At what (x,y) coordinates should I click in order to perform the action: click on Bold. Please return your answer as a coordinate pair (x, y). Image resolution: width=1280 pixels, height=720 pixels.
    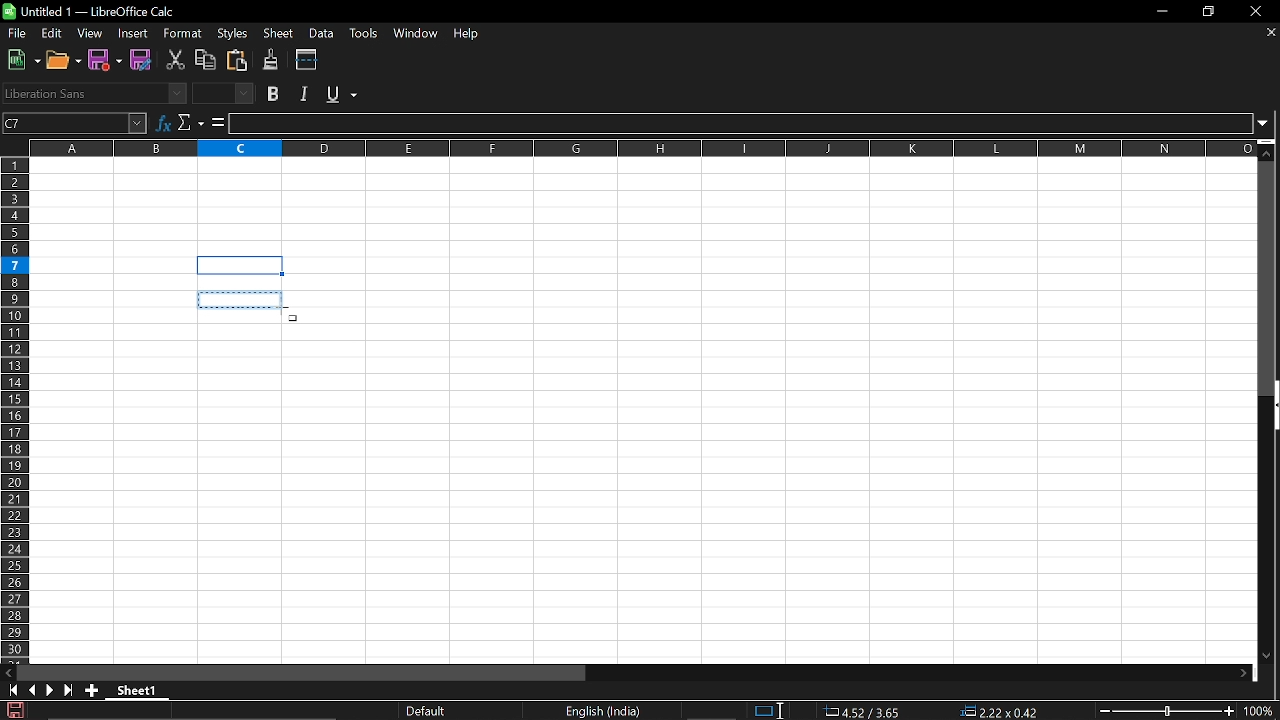
    Looking at the image, I should click on (274, 94).